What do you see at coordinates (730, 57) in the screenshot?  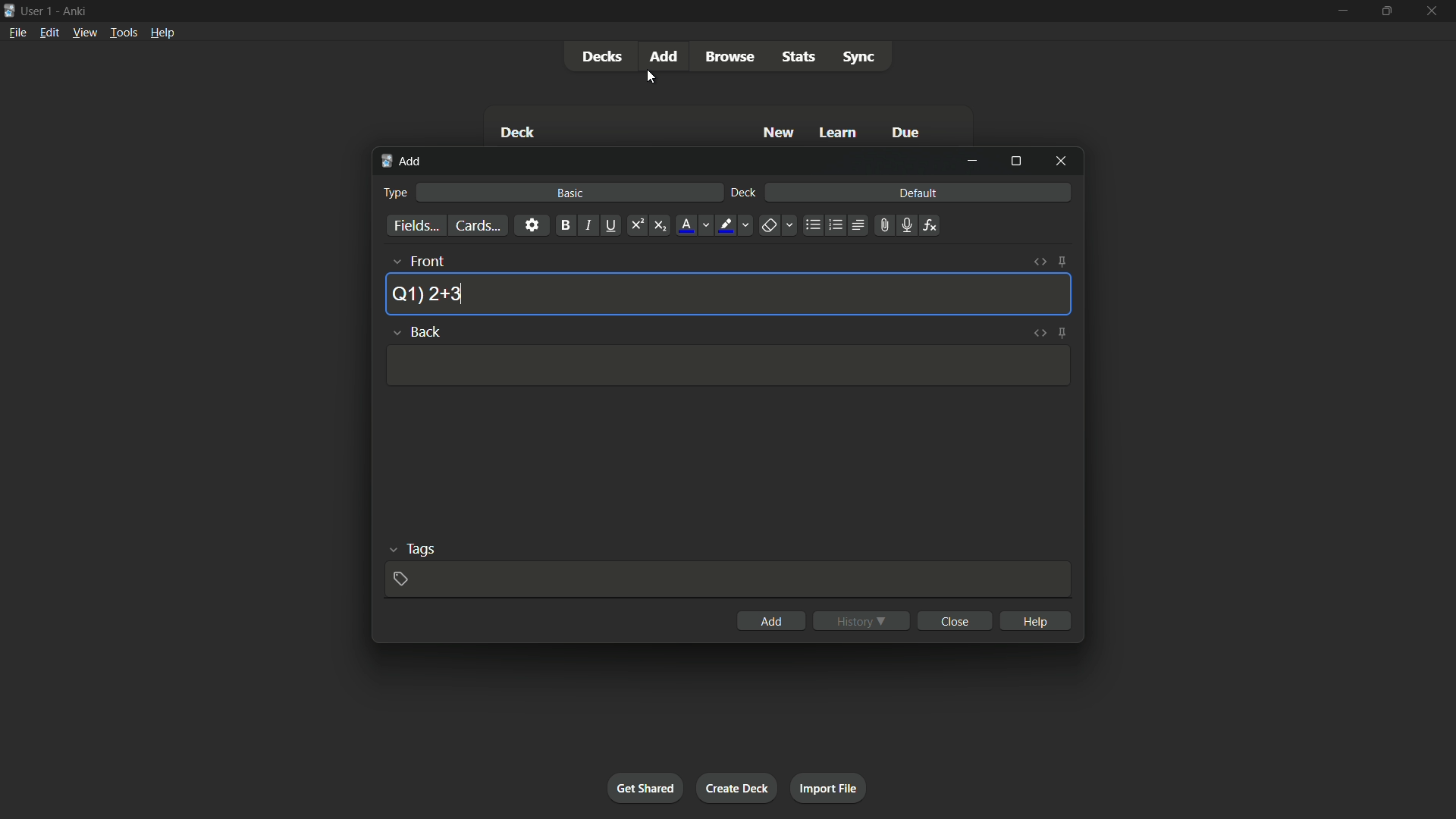 I see `browse` at bounding box center [730, 57].